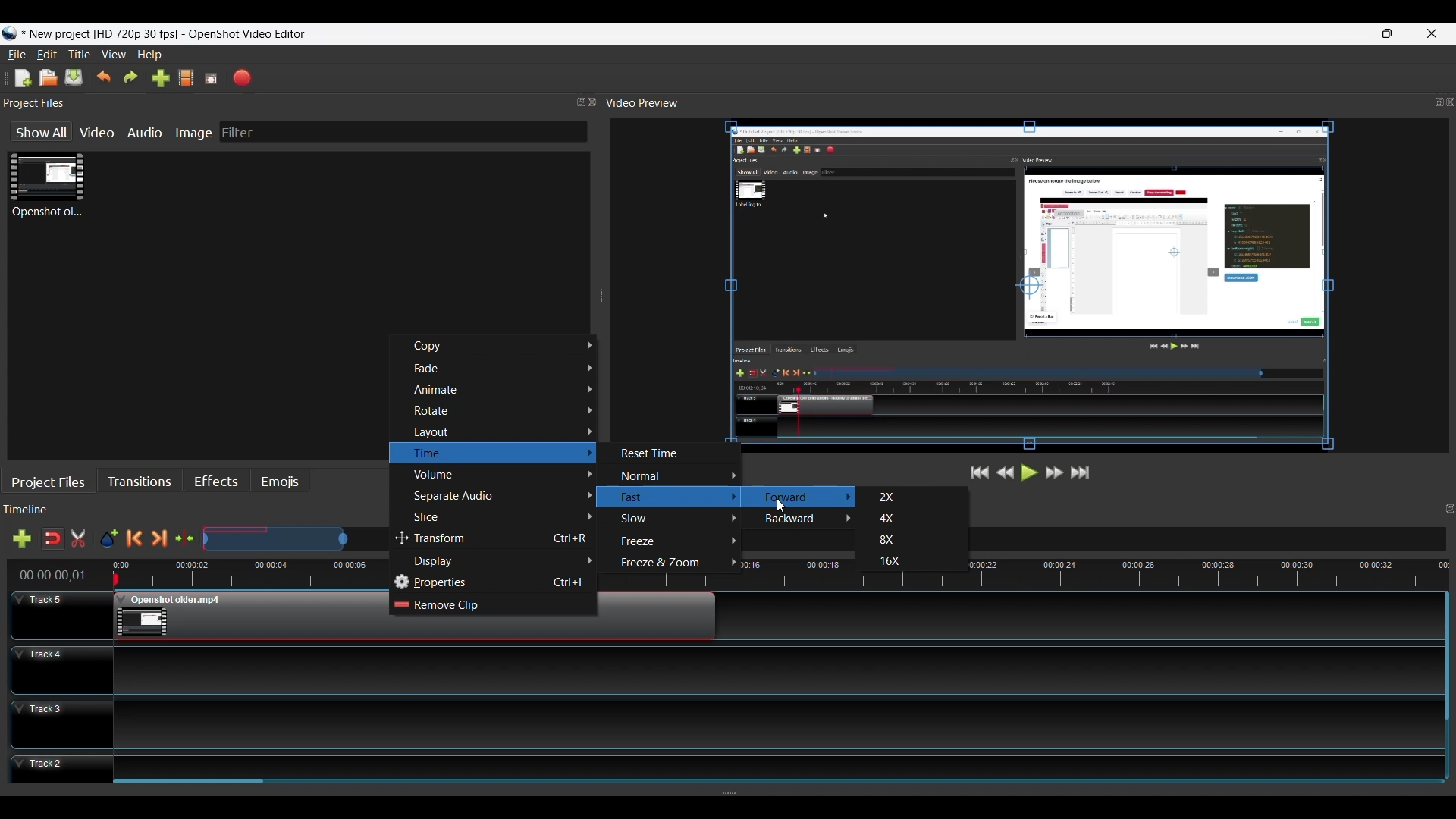 The width and height of the screenshot is (1456, 819). Describe the element at coordinates (19, 78) in the screenshot. I see `New File` at that location.